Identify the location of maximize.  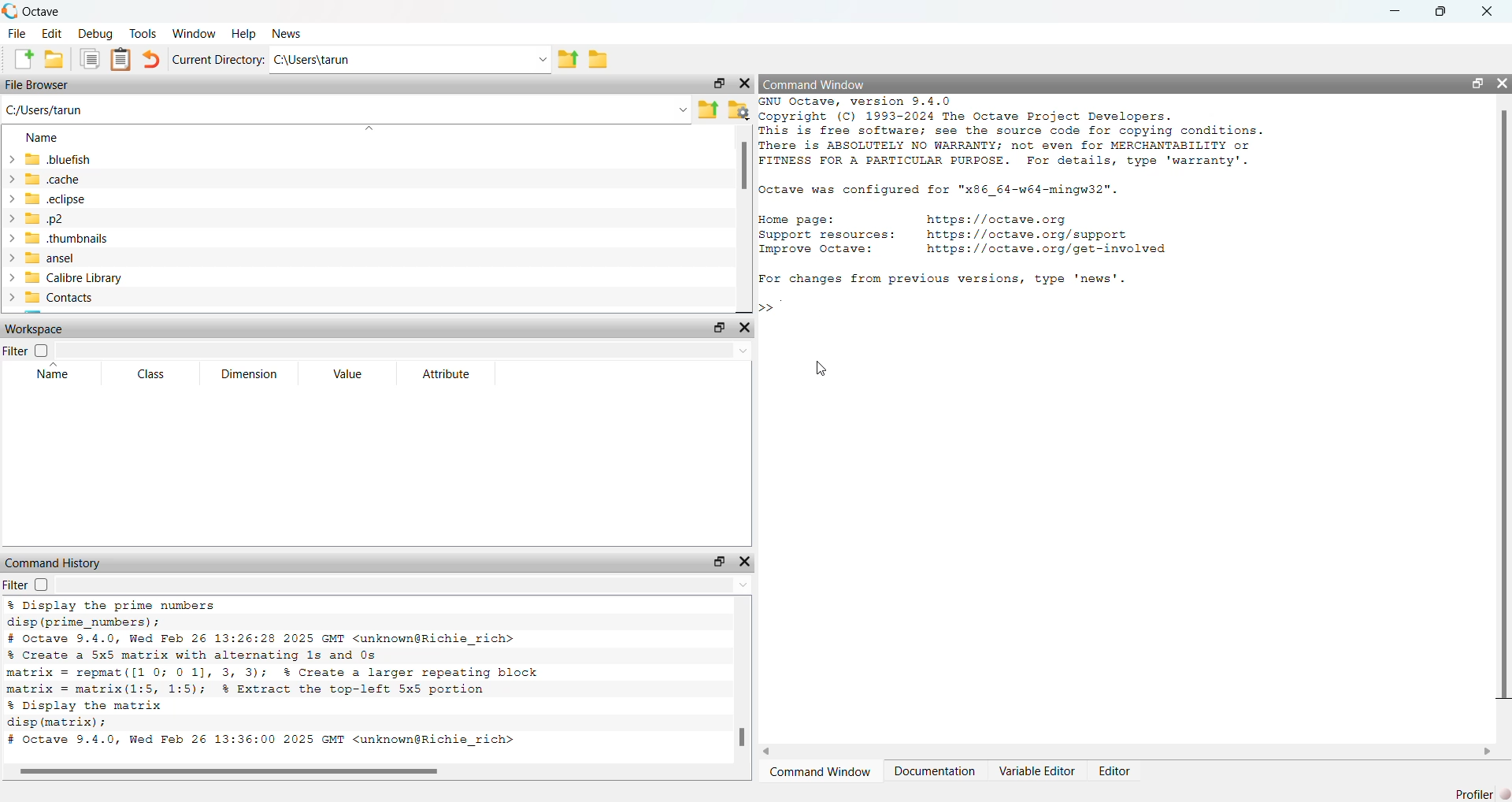
(1443, 12).